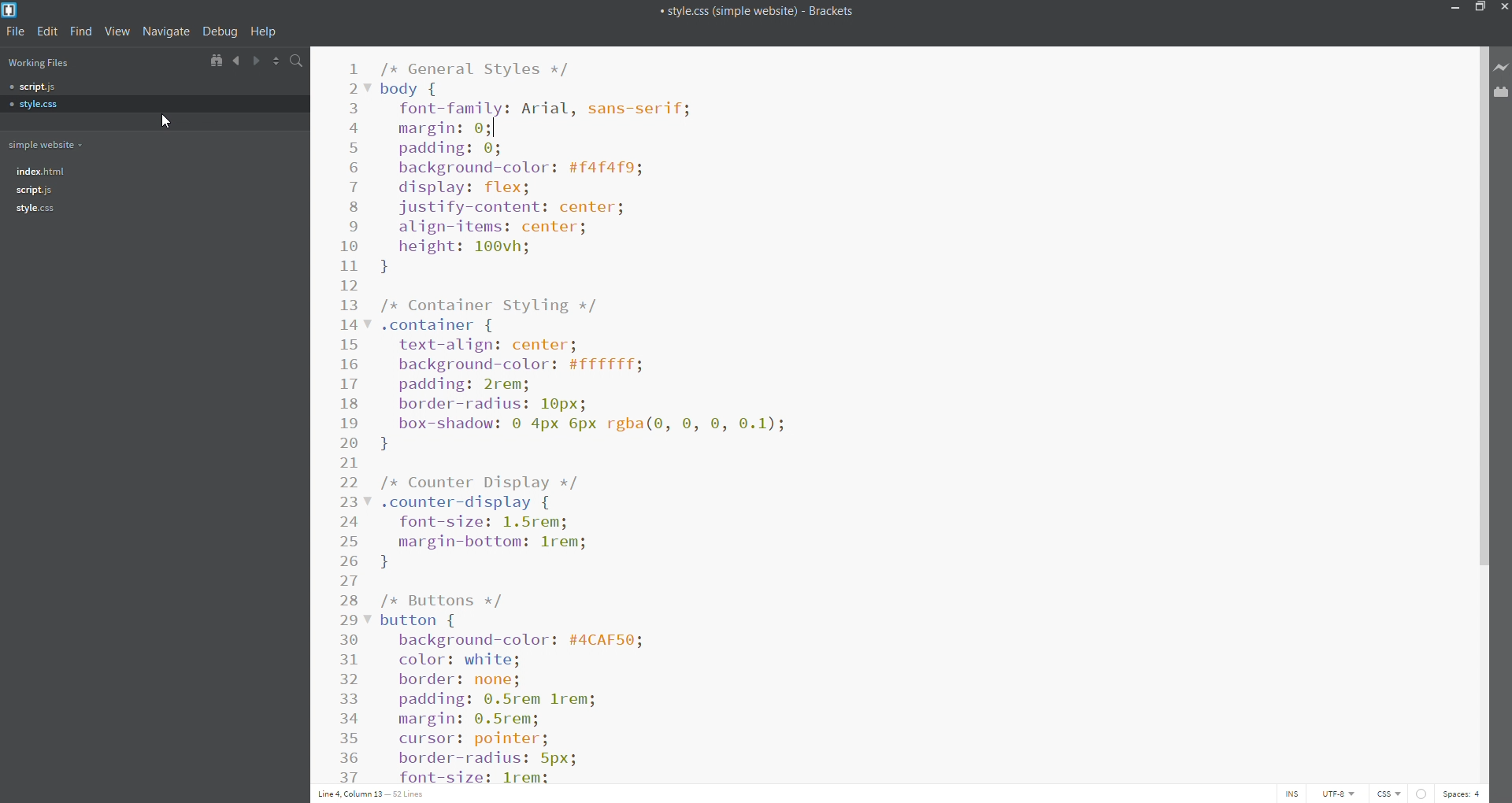 The width and height of the screenshot is (1512, 803). What do you see at coordinates (1466, 791) in the screenshot?
I see `spaces: 4` at bounding box center [1466, 791].